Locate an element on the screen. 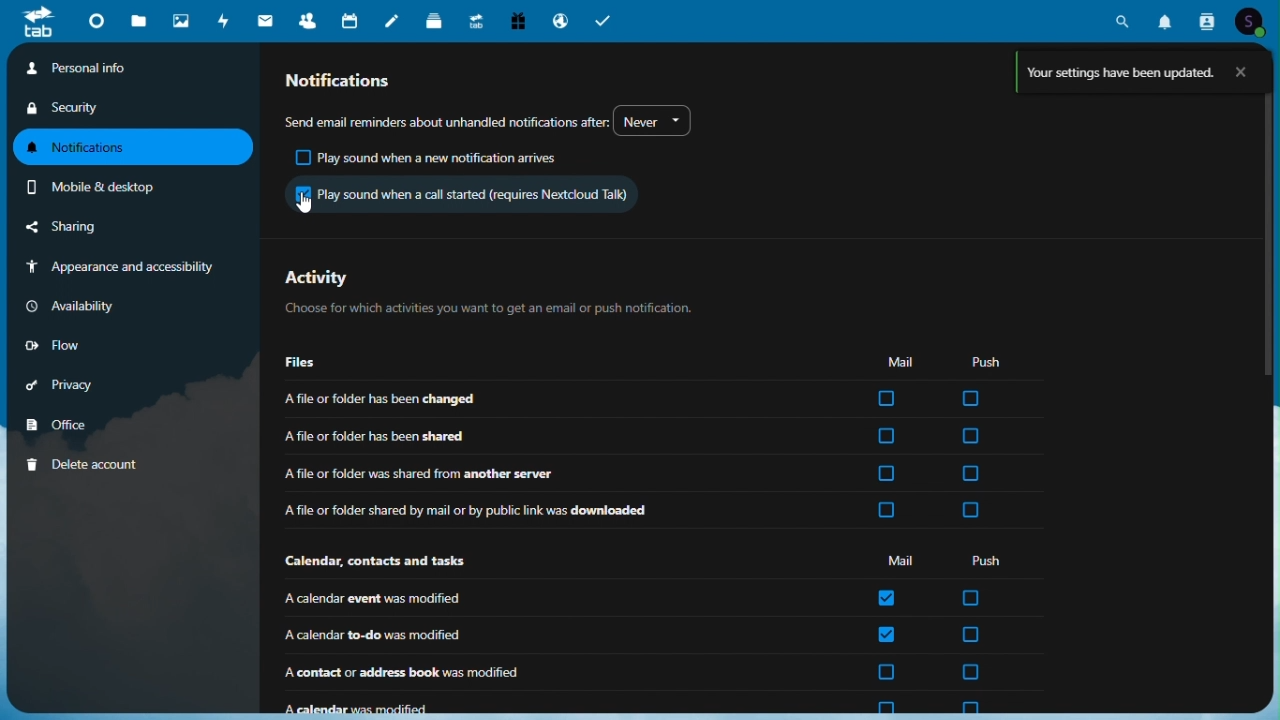  security is located at coordinates (69, 109).